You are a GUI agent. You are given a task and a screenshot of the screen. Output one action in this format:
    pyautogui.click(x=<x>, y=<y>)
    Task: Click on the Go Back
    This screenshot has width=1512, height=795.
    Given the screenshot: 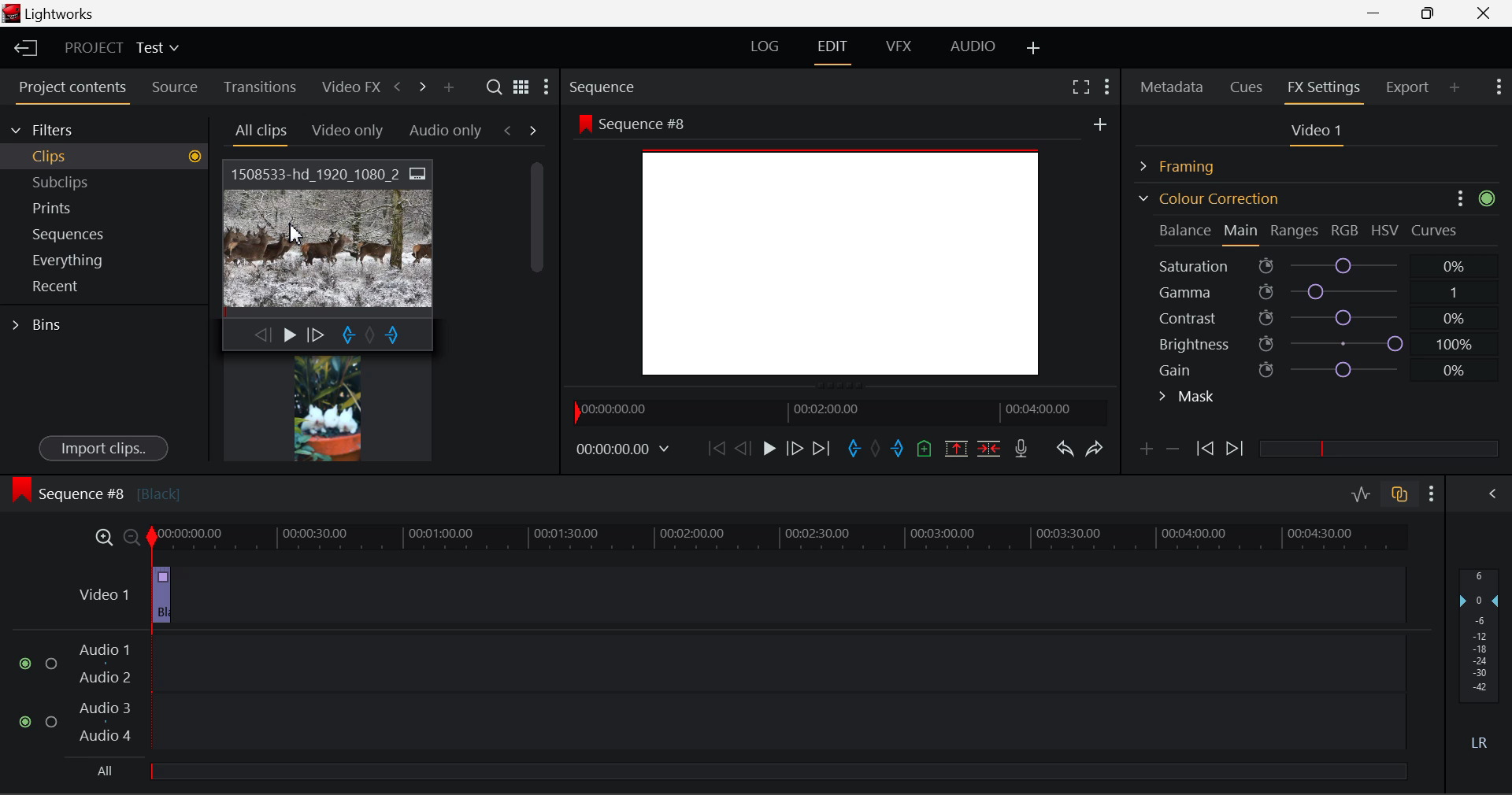 What is the action you would take?
    pyautogui.click(x=745, y=447)
    